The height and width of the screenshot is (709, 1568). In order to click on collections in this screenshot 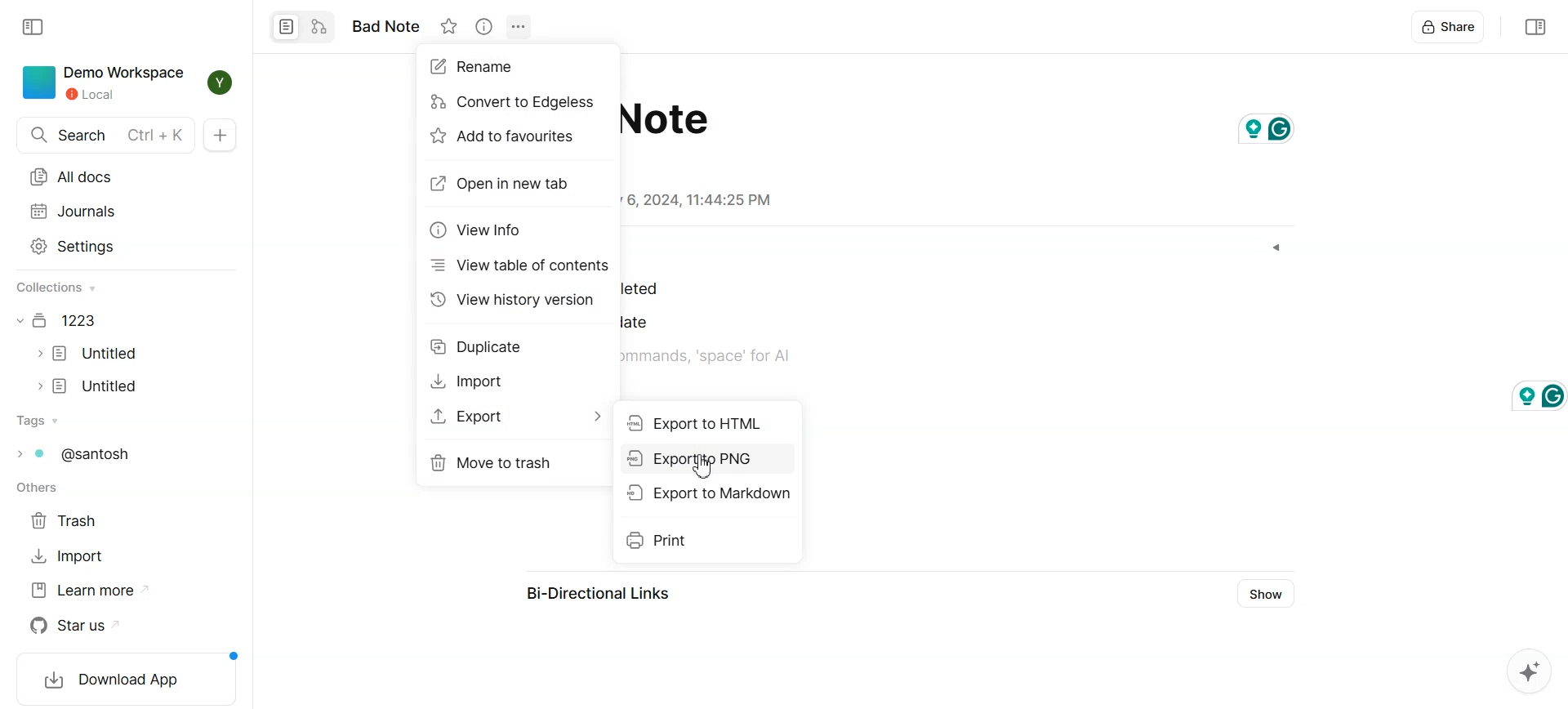, I will do `click(58, 288)`.